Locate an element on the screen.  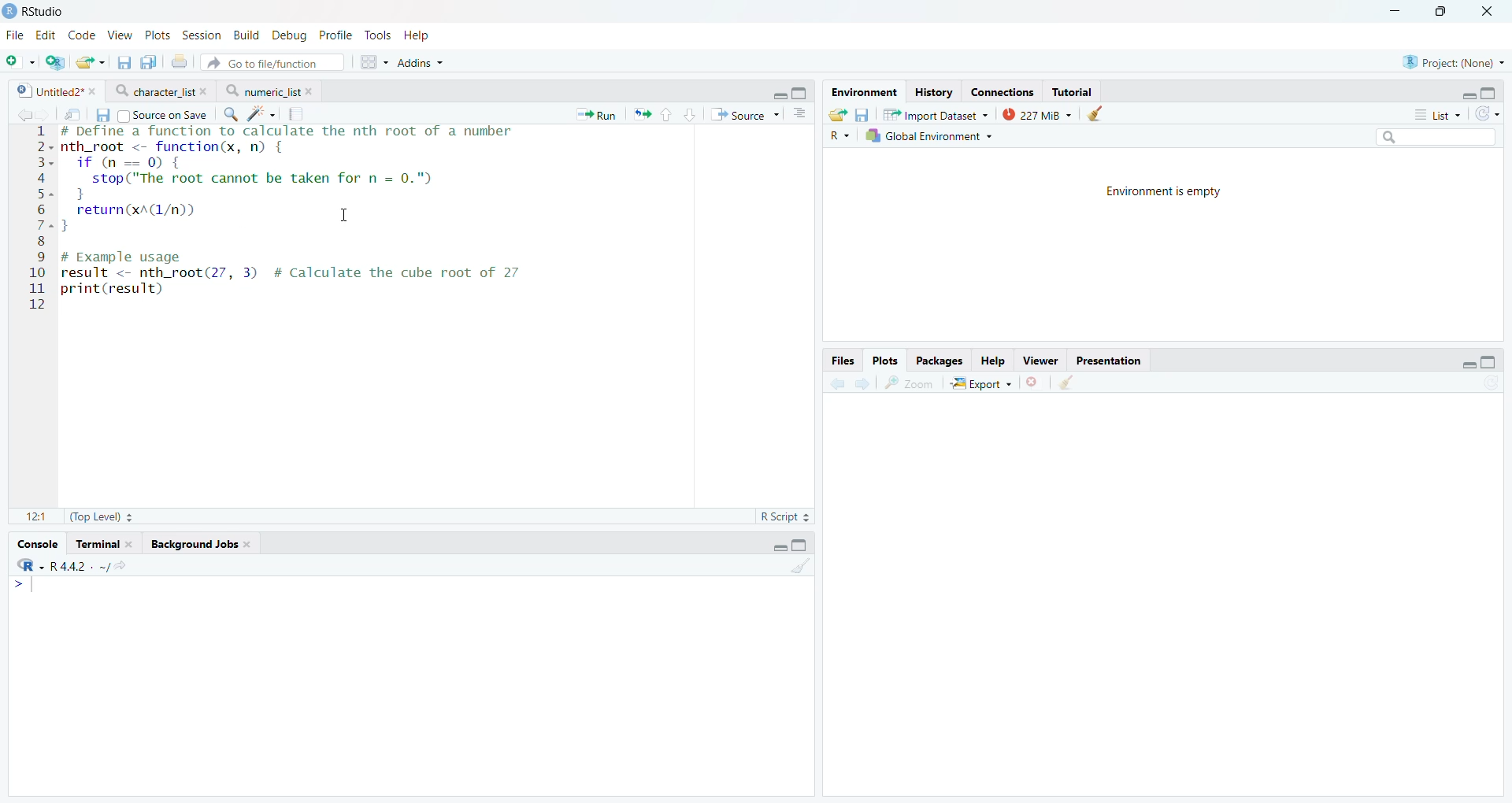
(Top Level) is located at coordinates (100, 516).